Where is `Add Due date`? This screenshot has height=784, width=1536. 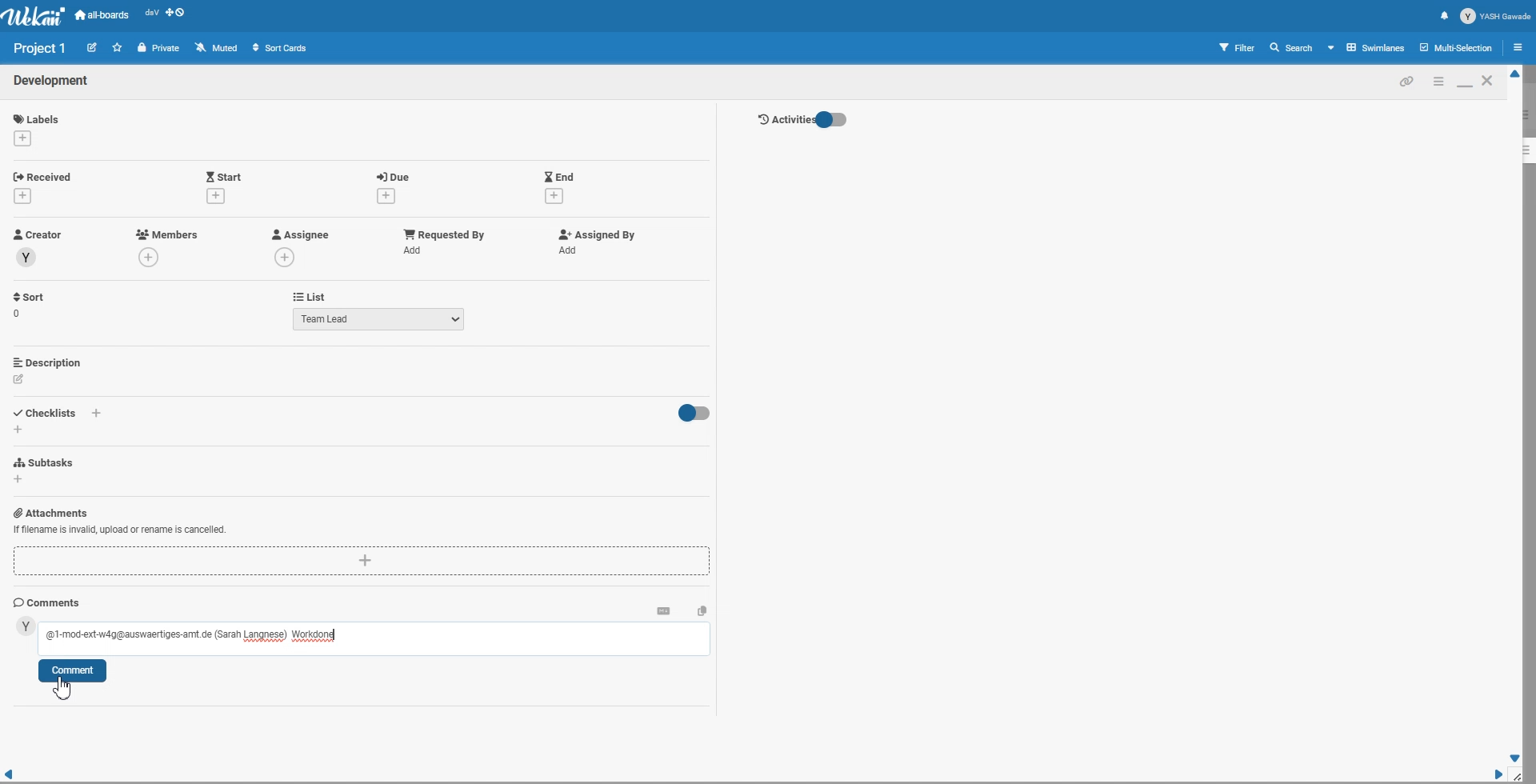 Add Due date is located at coordinates (395, 174).